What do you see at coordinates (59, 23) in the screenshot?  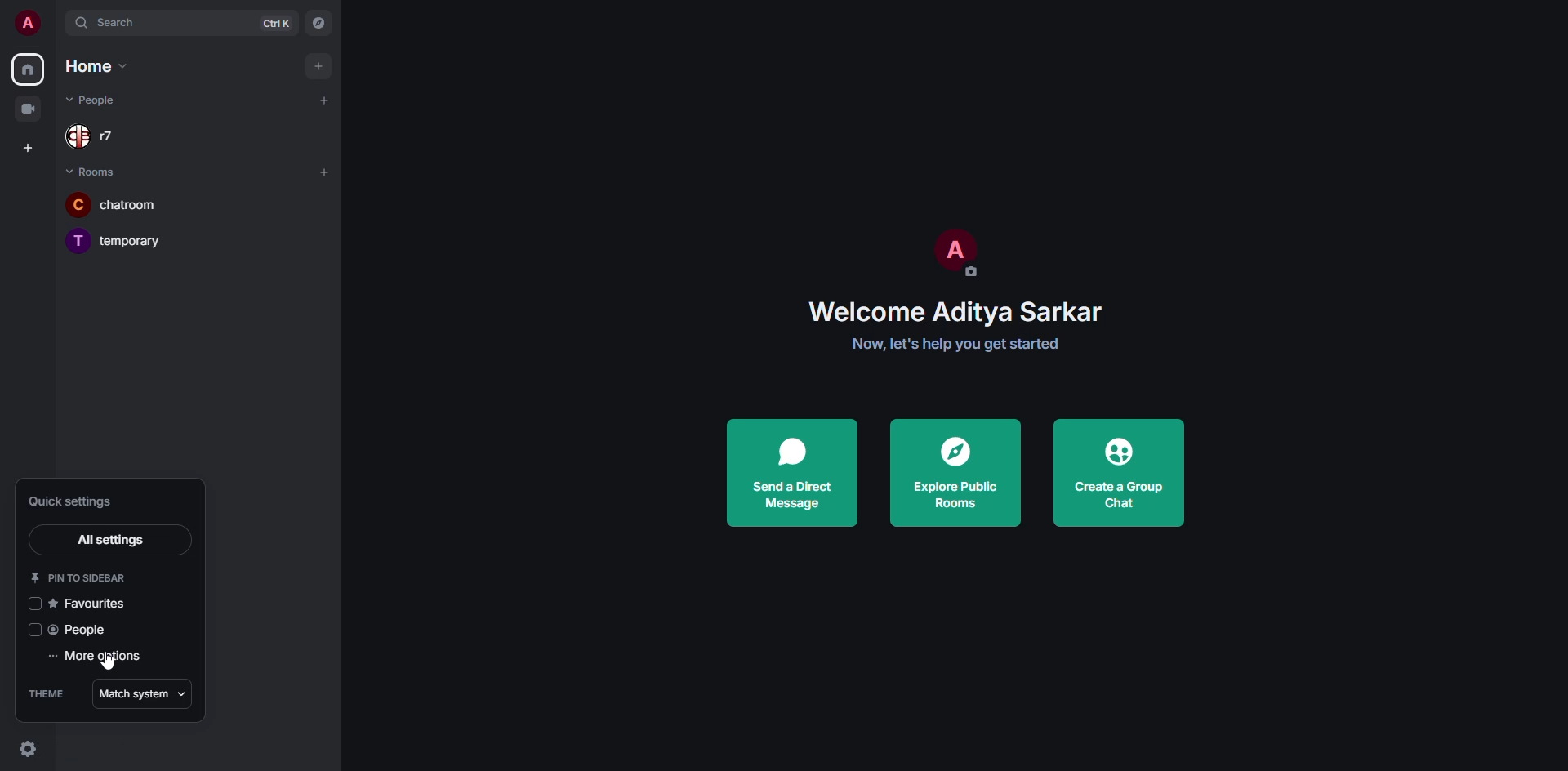 I see `expand` at bounding box center [59, 23].